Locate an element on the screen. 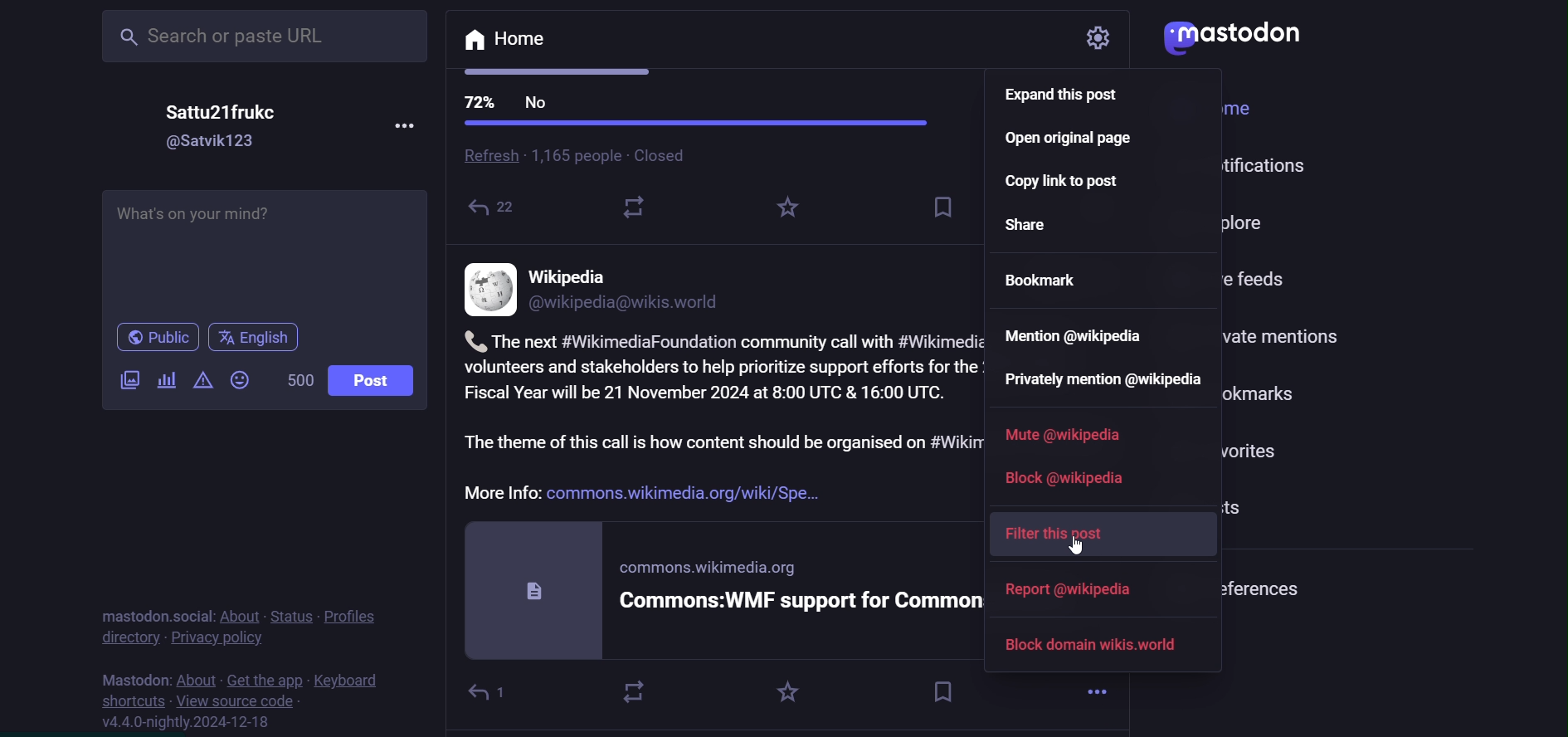 This screenshot has width=1568, height=737. open original page is located at coordinates (1075, 142).